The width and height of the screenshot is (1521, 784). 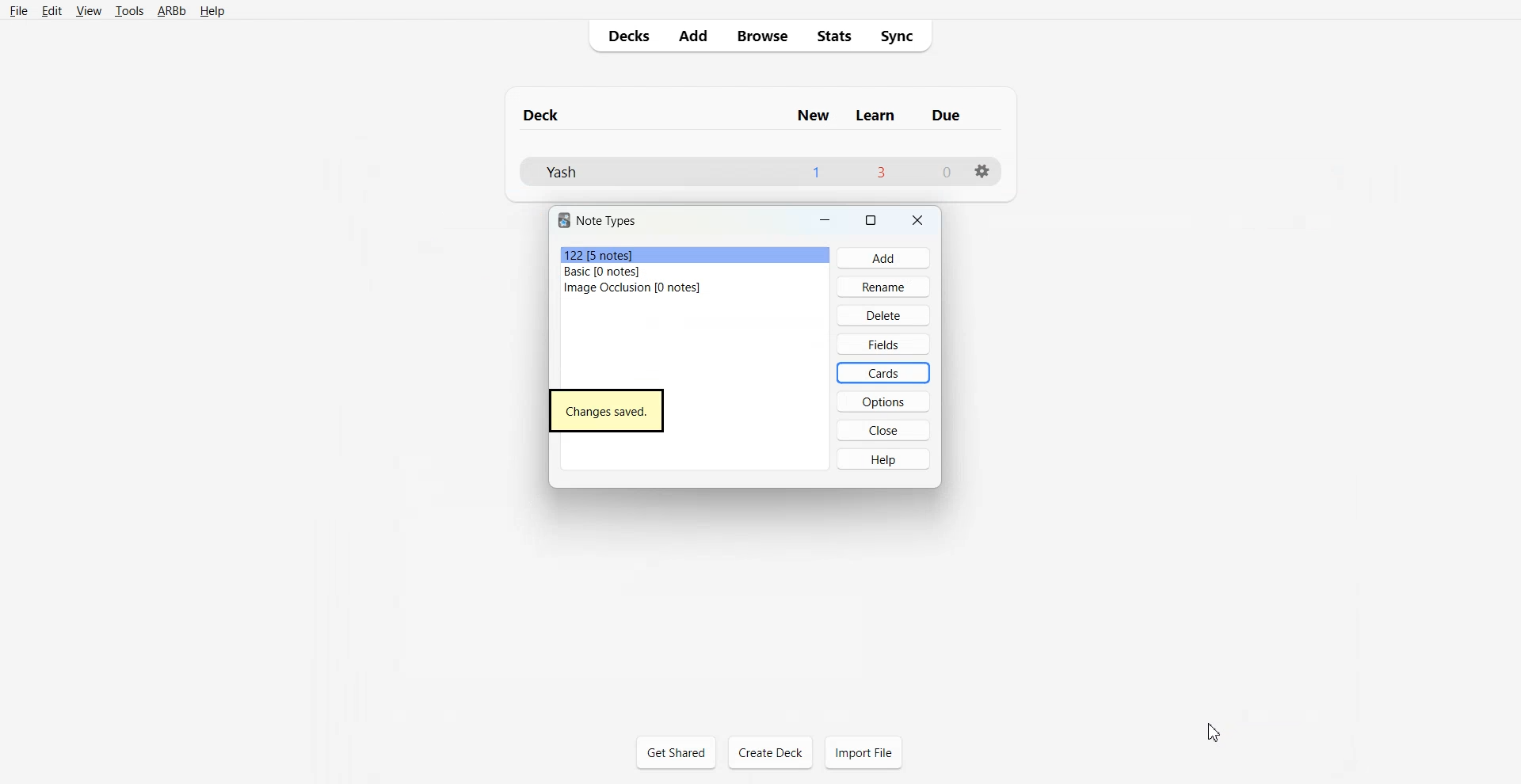 I want to click on Text 1, so click(x=752, y=114).